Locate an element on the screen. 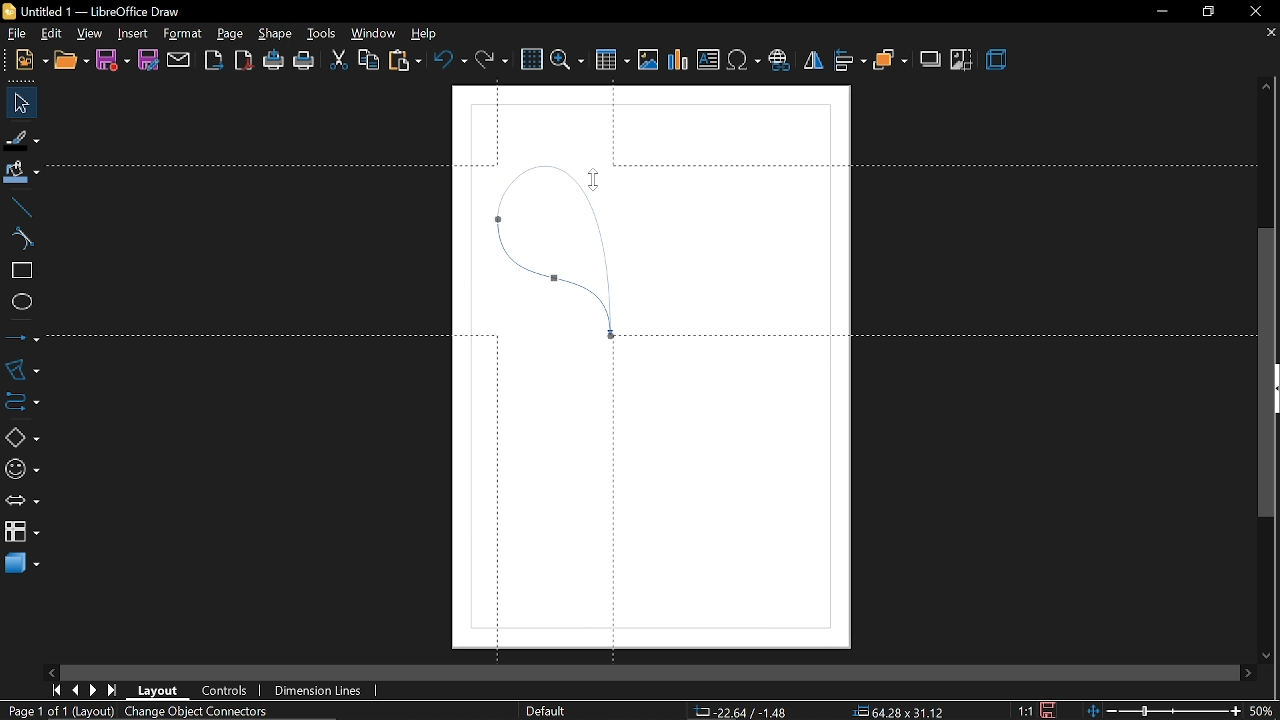  cut  is located at coordinates (337, 62).